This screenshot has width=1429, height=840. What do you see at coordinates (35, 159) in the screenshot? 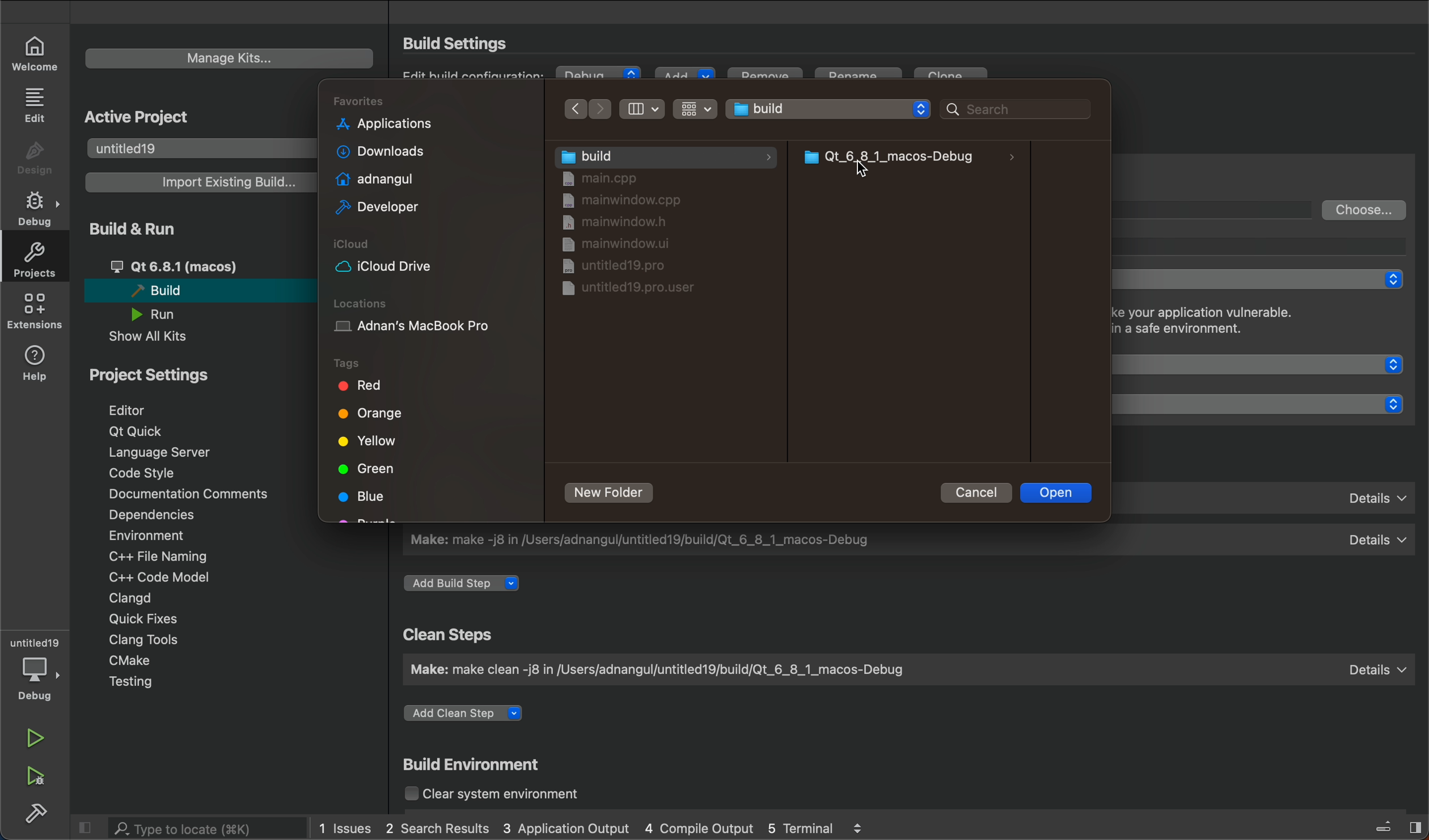
I see `design` at bounding box center [35, 159].